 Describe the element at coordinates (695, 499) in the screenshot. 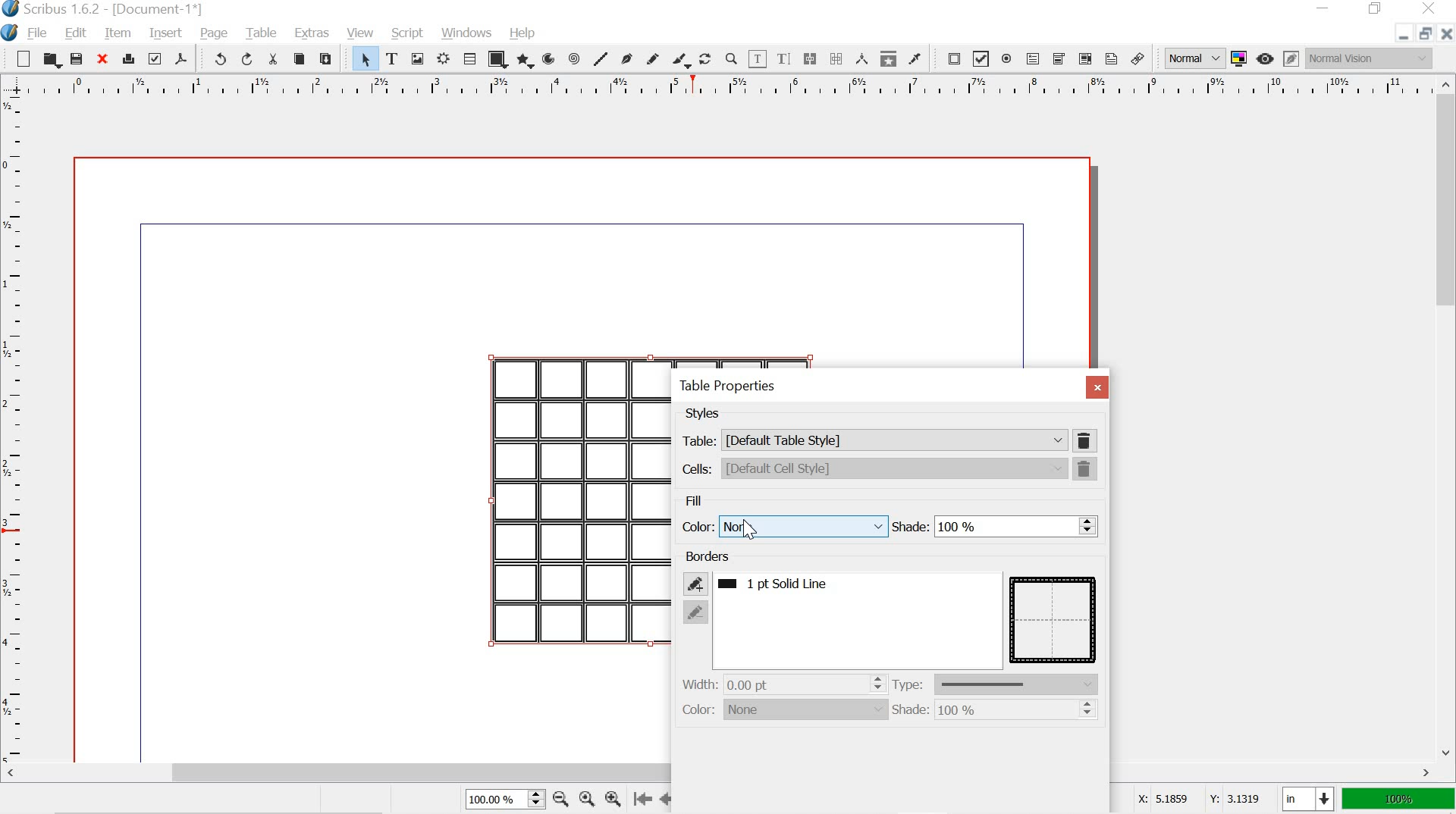

I see `fill` at that location.